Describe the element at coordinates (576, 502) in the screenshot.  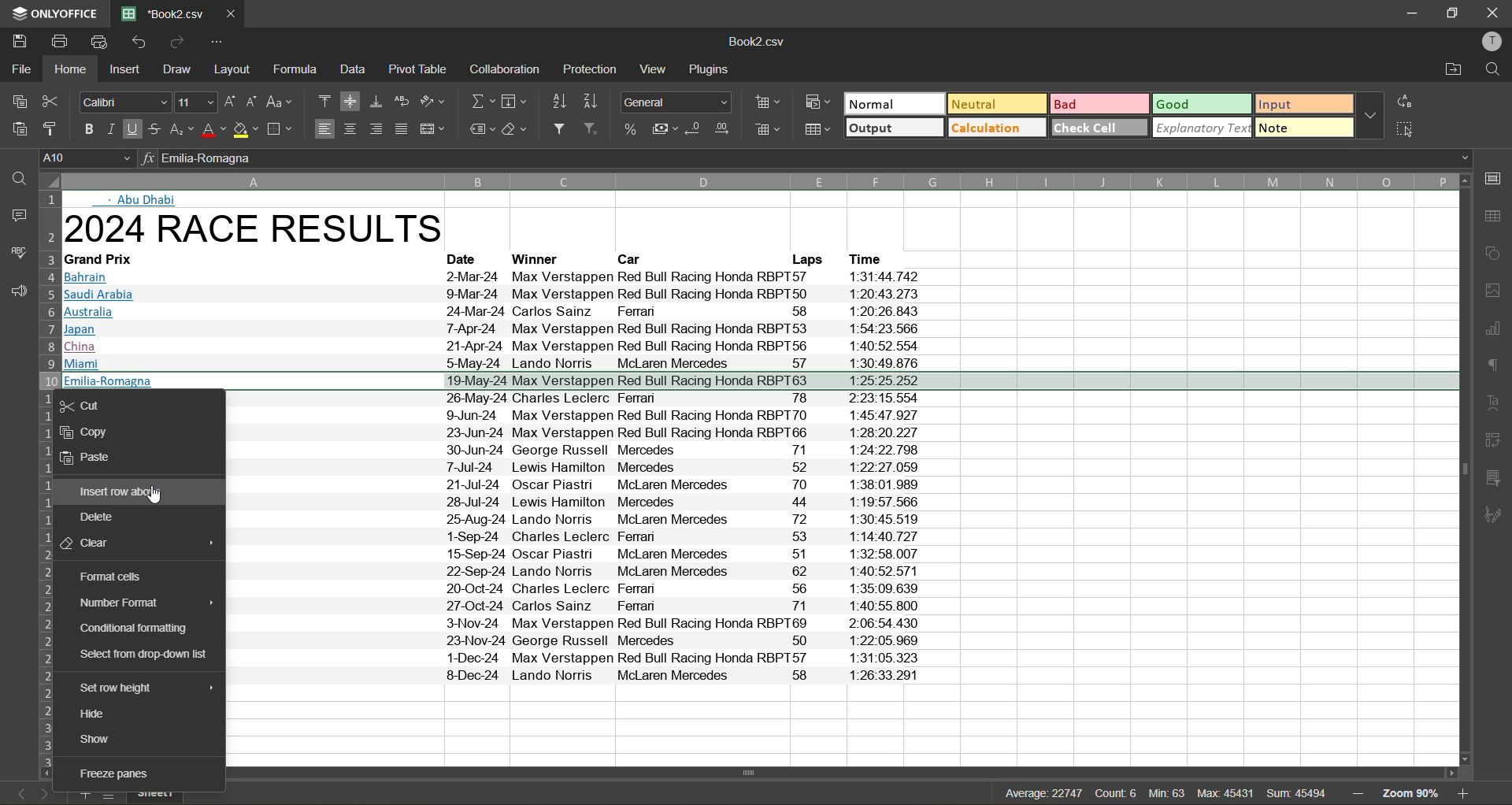
I see `28-Jul-24 Lewis Hamilton Mercedes 44 1:19:57 566` at that location.